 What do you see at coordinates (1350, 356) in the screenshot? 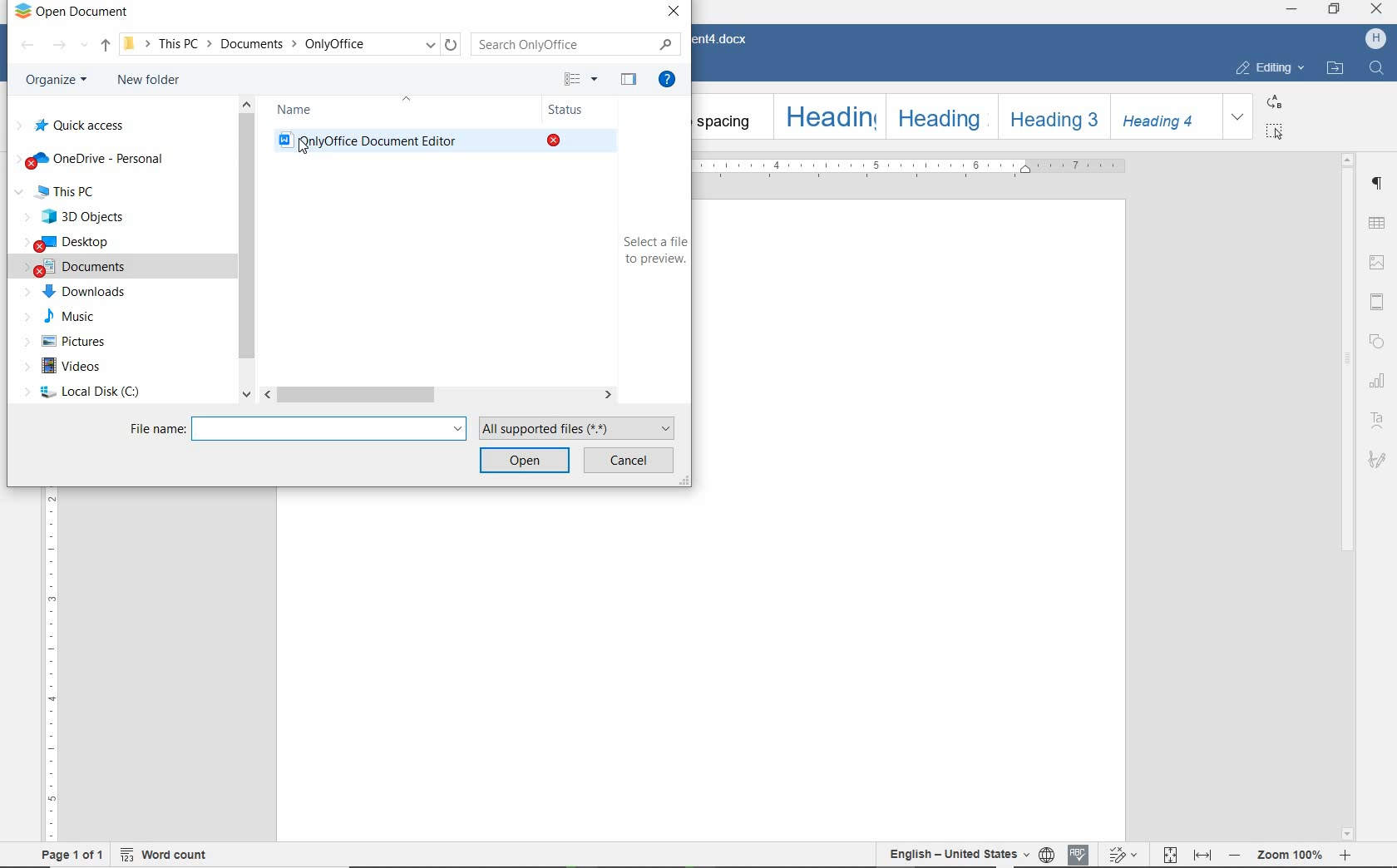
I see `scrollbar` at bounding box center [1350, 356].